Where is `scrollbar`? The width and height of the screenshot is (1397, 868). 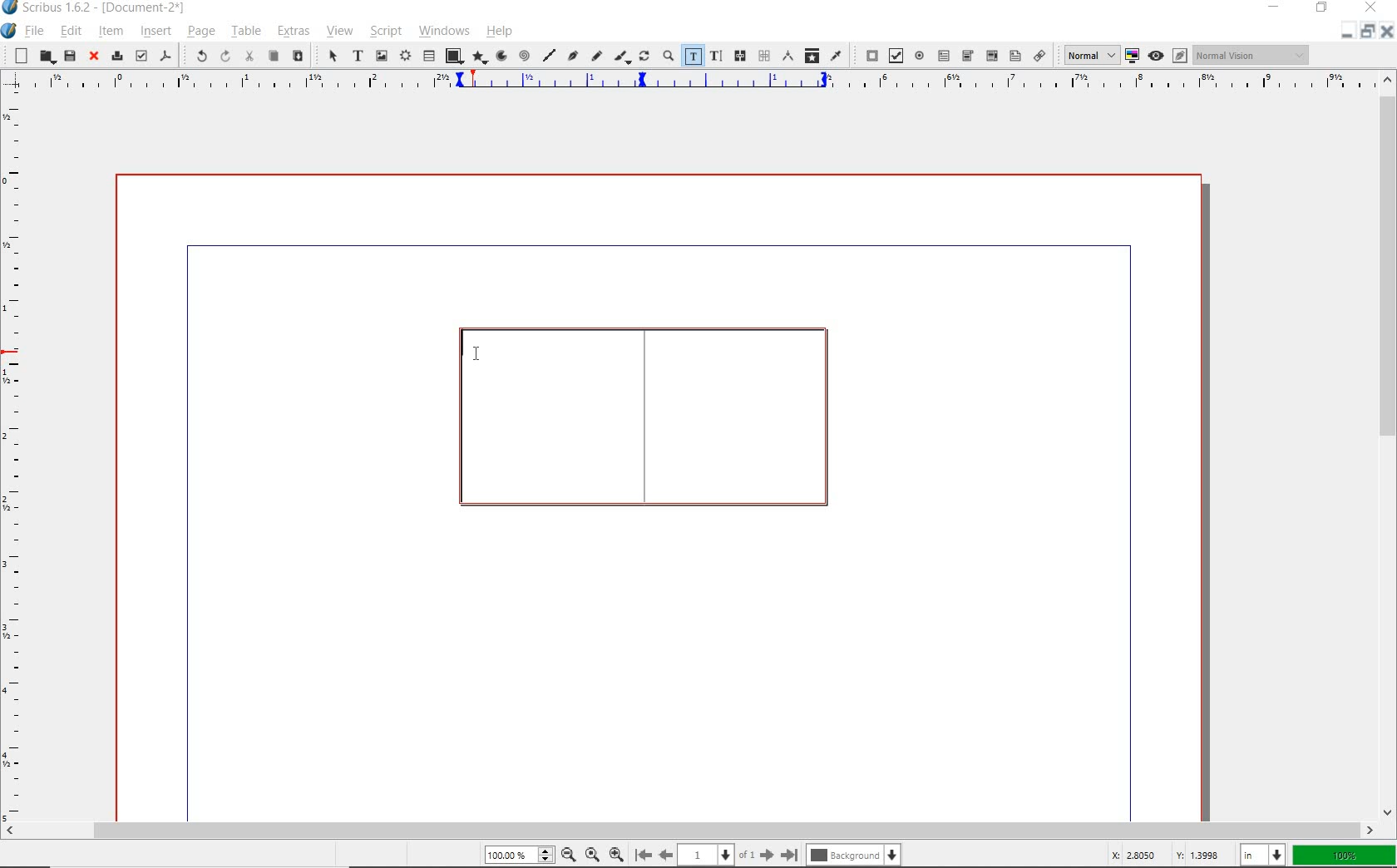
scrollbar is located at coordinates (1389, 446).